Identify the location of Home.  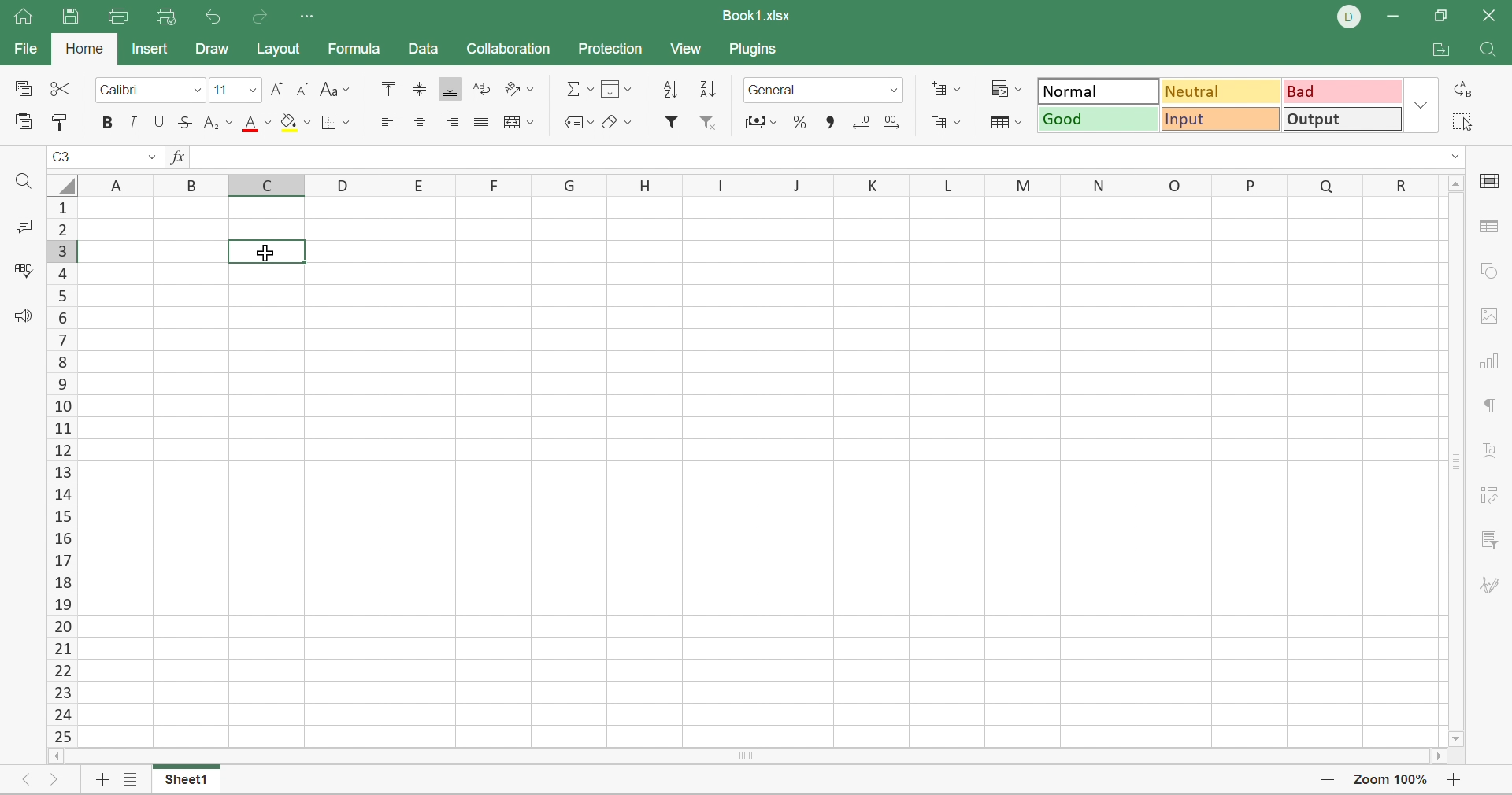
(20, 15).